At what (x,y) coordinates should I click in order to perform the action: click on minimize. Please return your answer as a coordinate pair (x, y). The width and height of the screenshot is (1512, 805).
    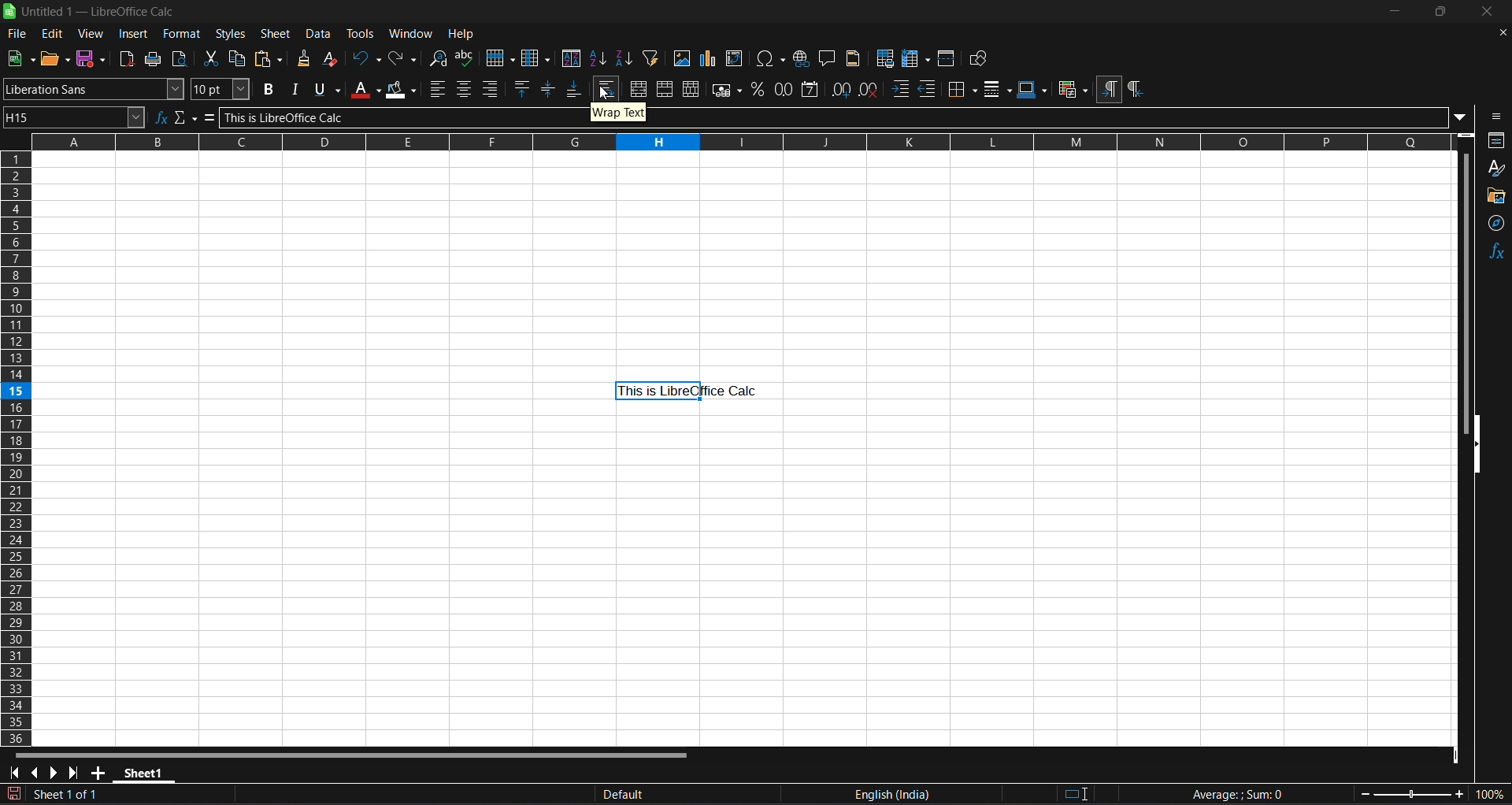
    Looking at the image, I should click on (1399, 12).